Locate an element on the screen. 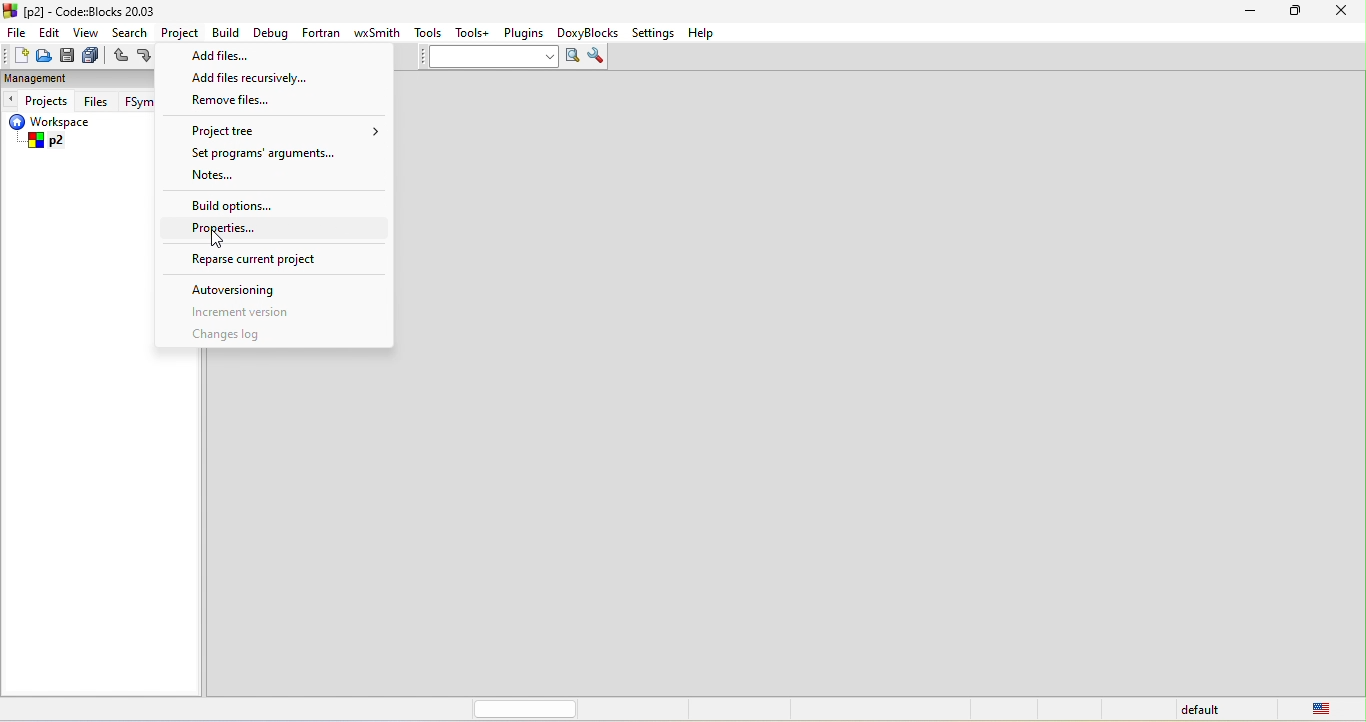 This screenshot has width=1366, height=722. set programs arguments is located at coordinates (263, 153).